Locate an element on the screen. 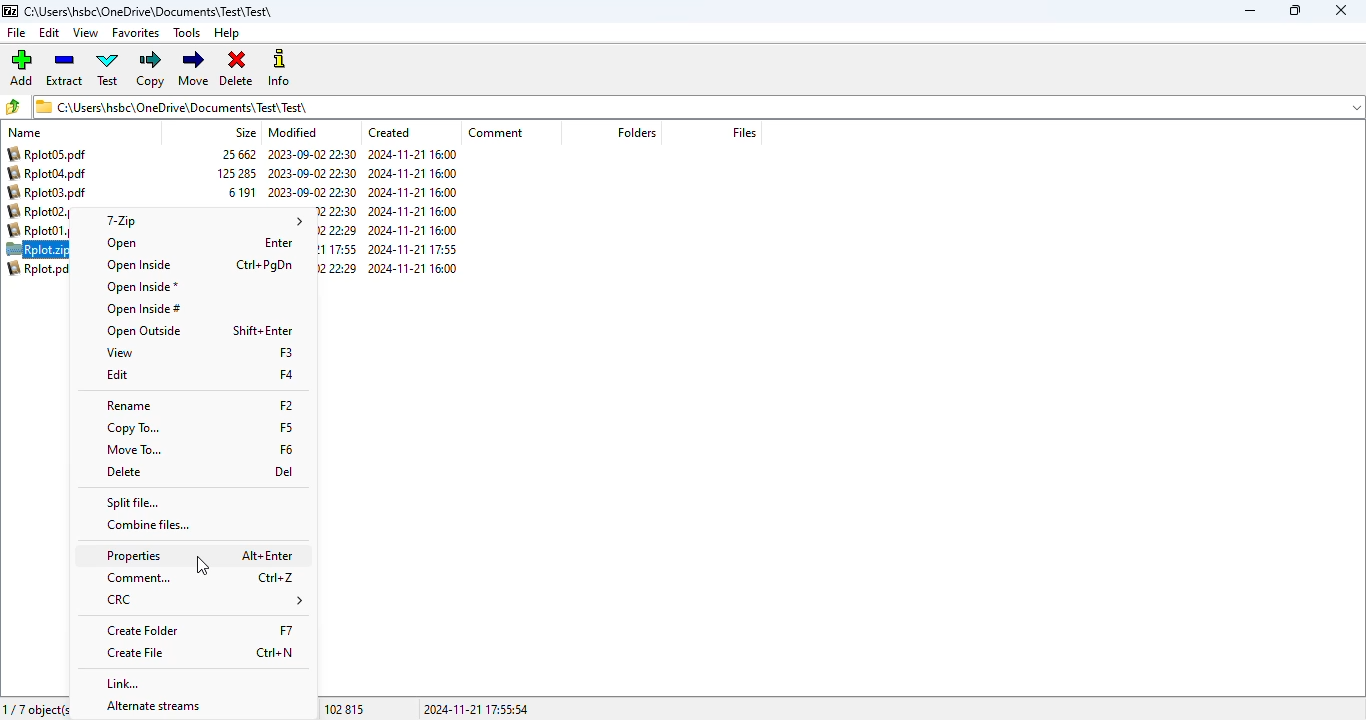 The height and width of the screenshot is (720, 1366). F4 is located at coordinates (287, 375).